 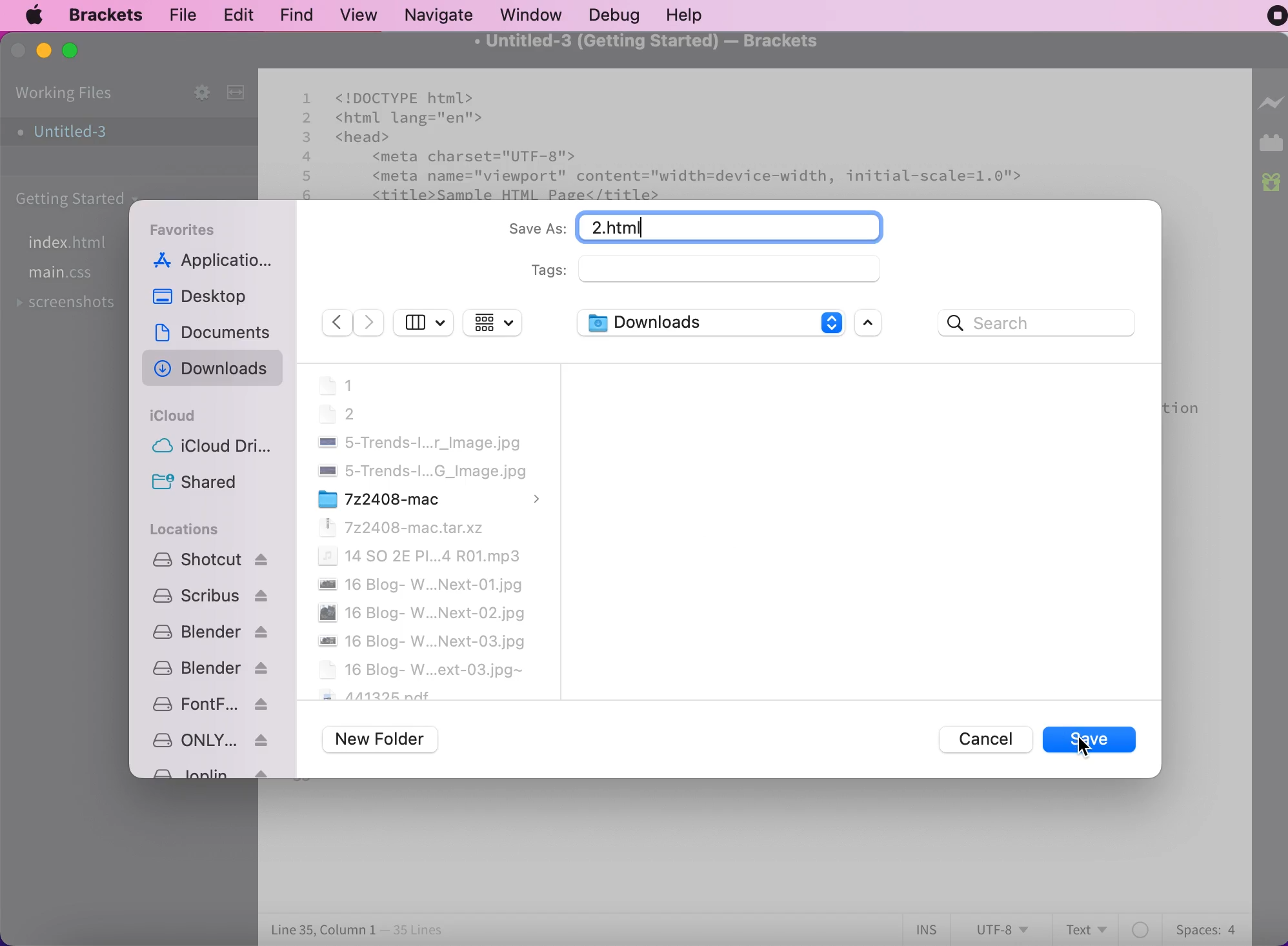 I want to click on help, so click(x=701, y=15).